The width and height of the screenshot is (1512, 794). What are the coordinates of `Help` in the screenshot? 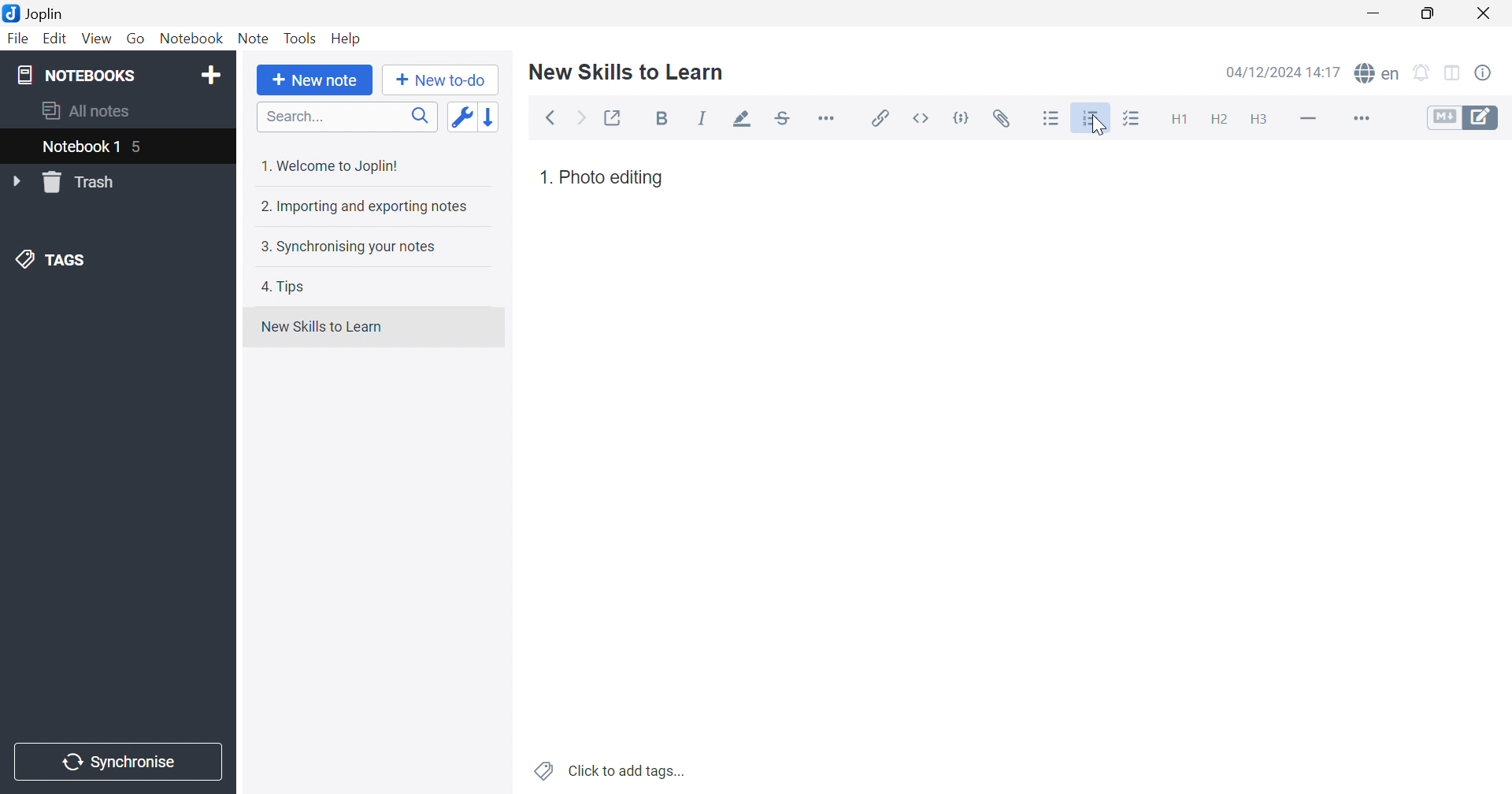 It's located at (347, 39).